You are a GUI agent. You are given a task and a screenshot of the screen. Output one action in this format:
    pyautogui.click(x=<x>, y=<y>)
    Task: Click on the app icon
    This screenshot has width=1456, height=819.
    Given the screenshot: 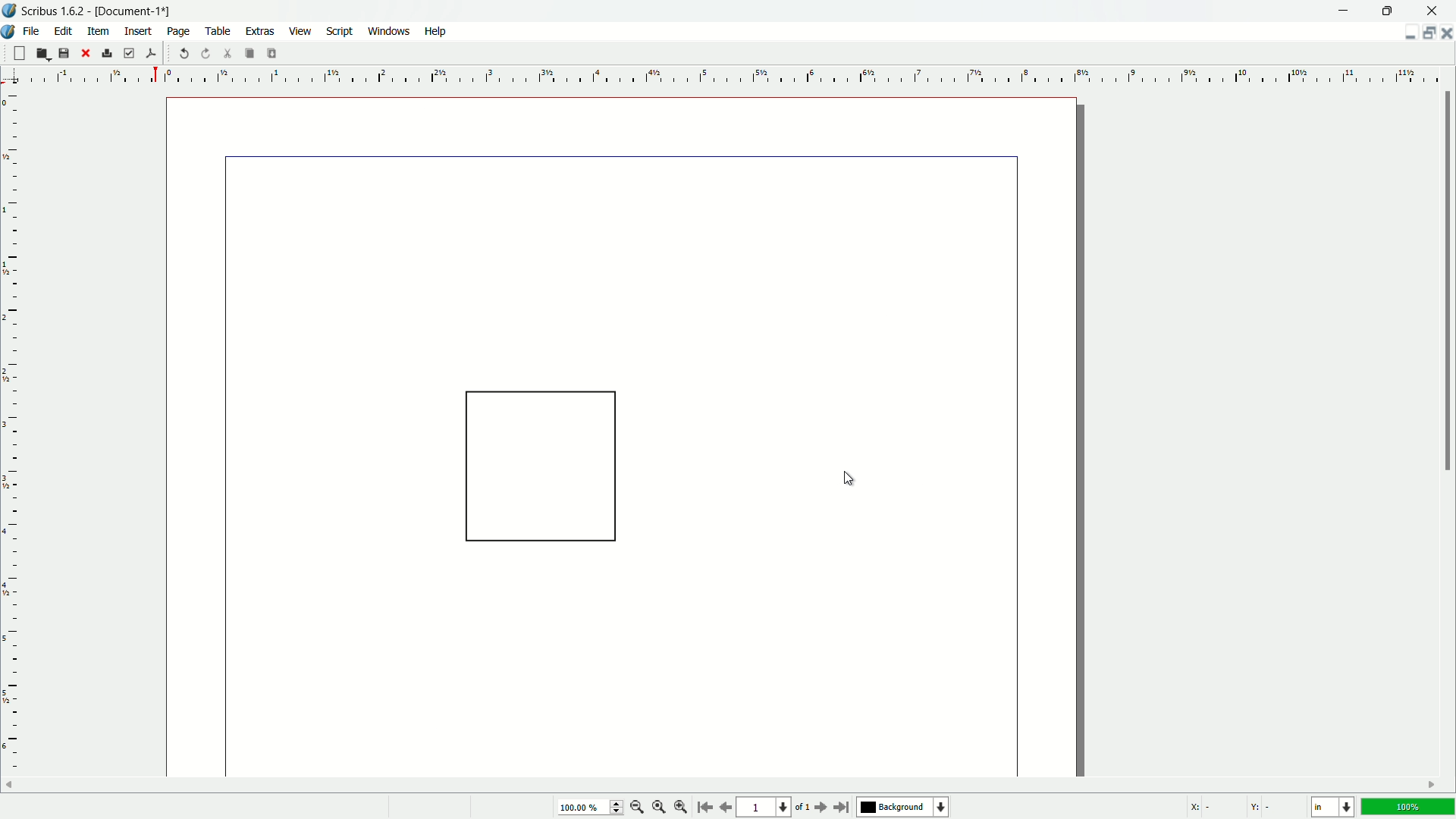 What is the action you would take?
    pyautogui.click(x=10, y=12)
    